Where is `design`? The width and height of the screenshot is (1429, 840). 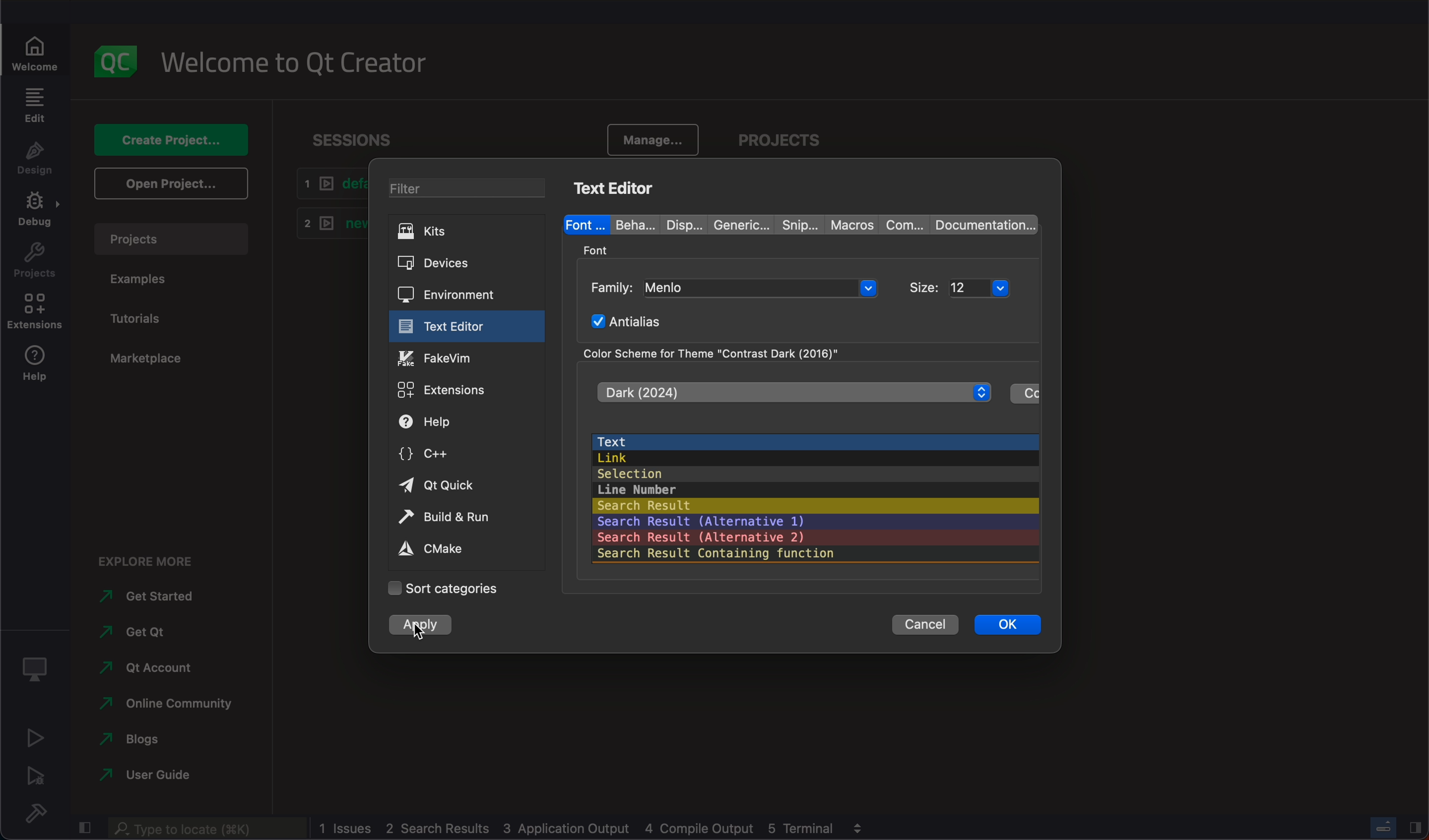 design is located at coordinates (33, 161).